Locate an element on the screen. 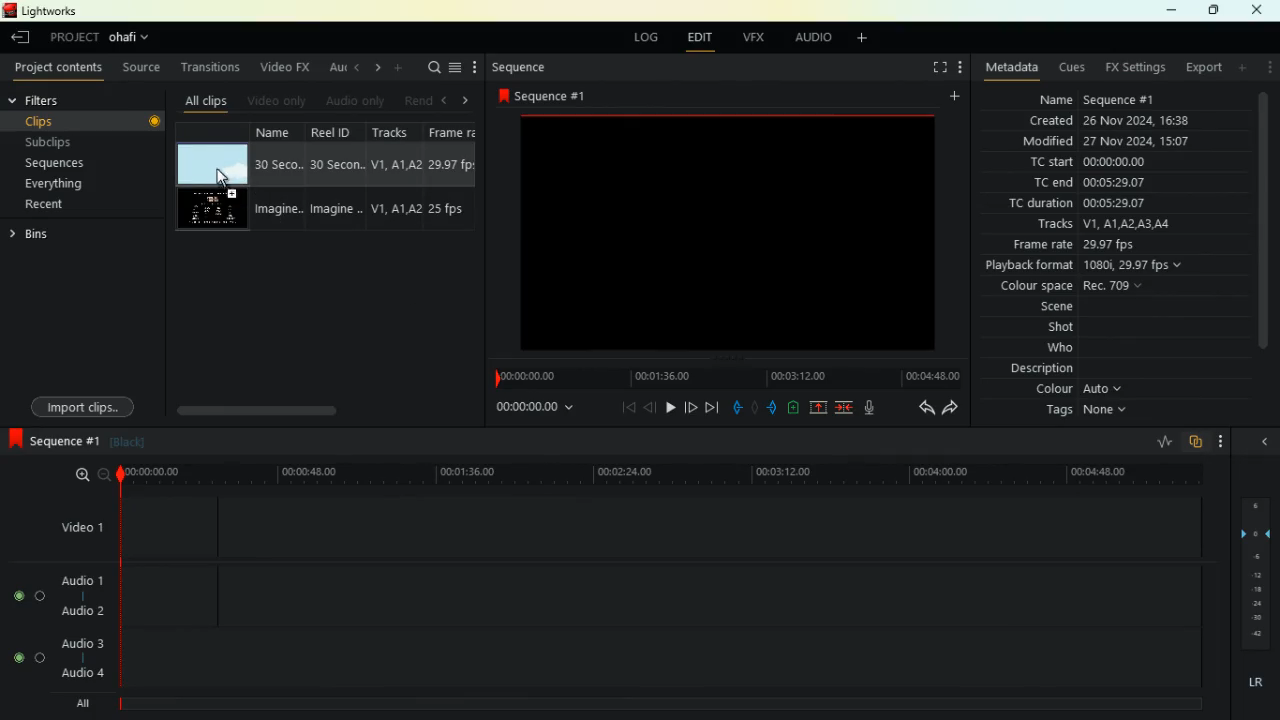  colour is located at coordinates (1075, 388).